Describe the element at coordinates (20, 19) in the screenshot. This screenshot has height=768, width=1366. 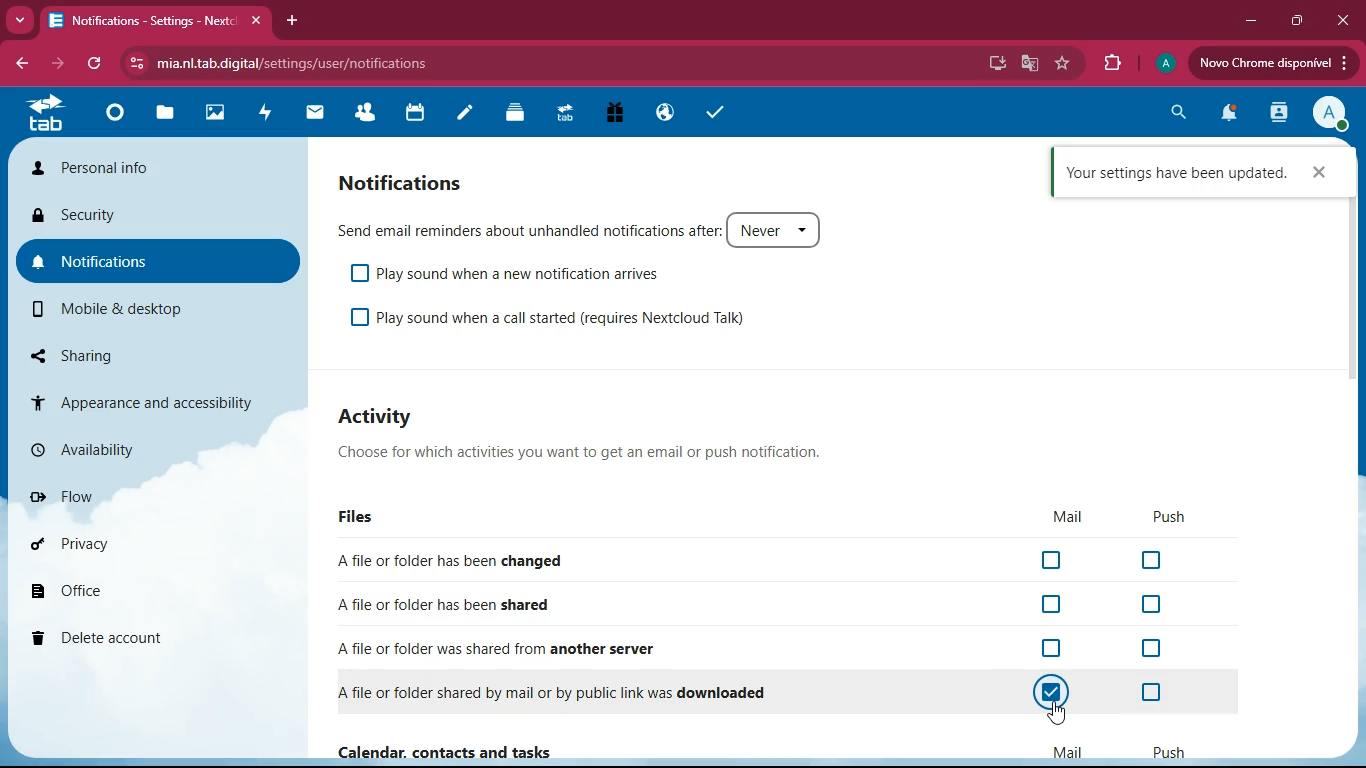
I see `more` at that location.